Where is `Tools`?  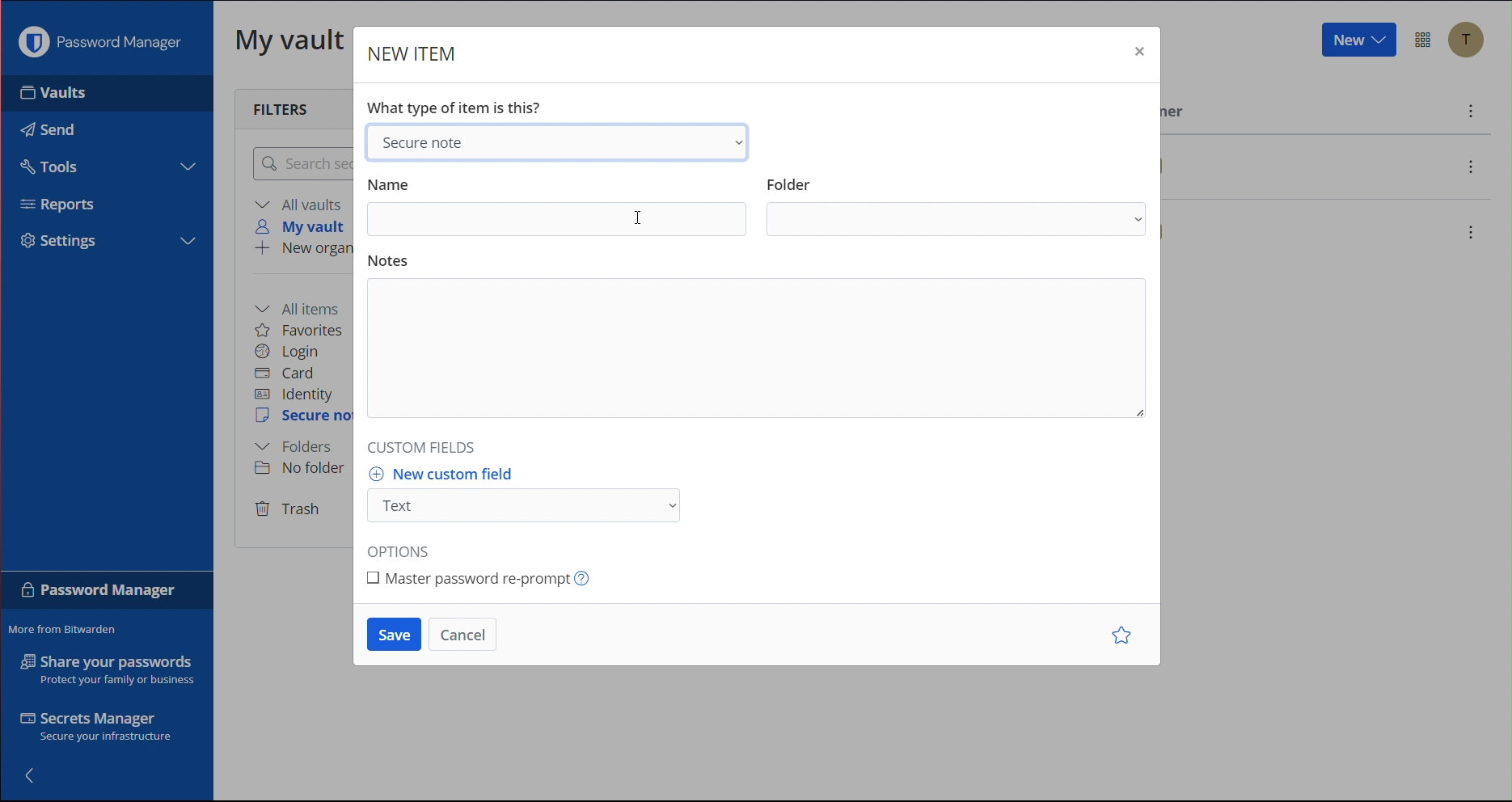
Tools is located at coordinates (55, 167).